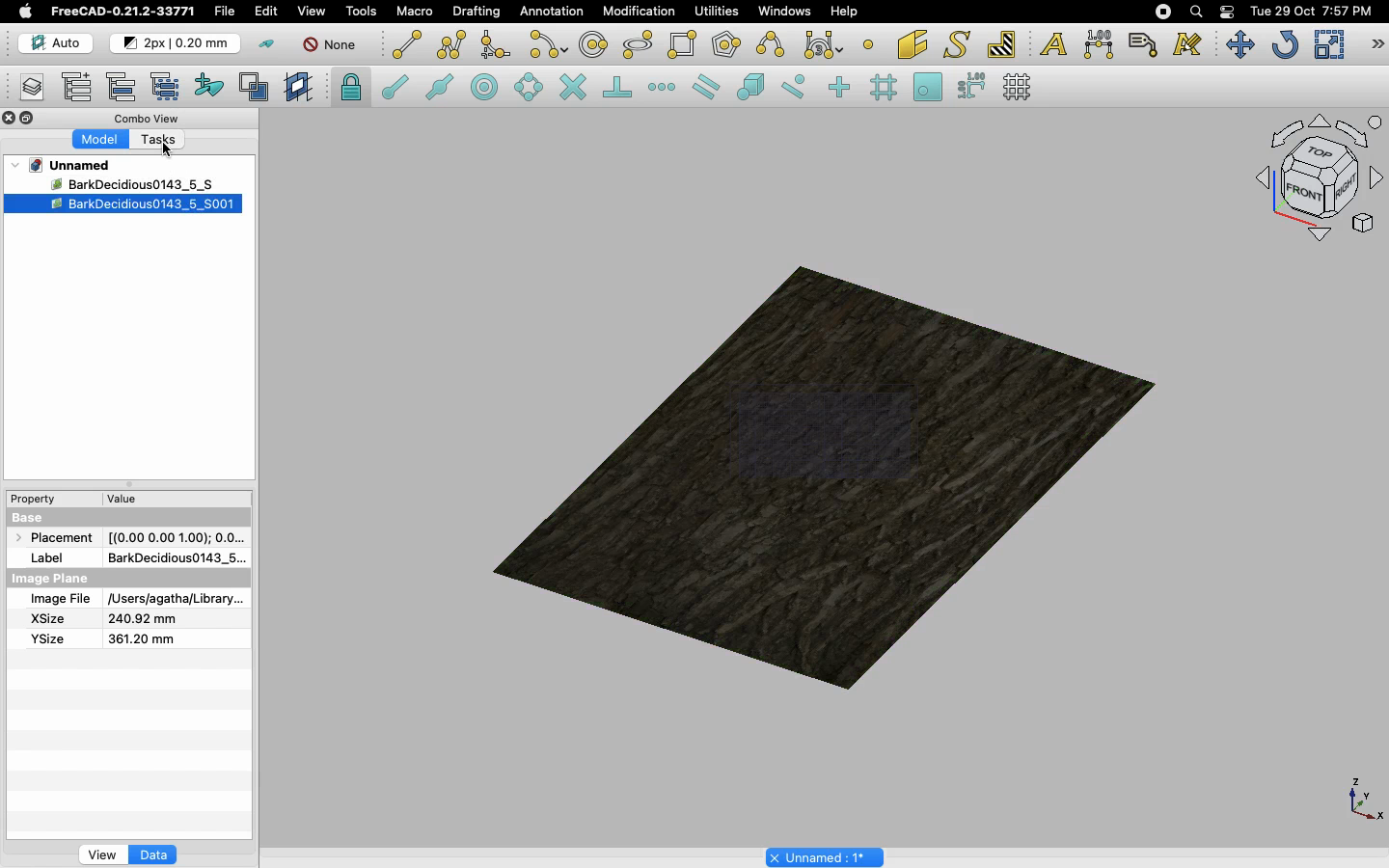 This screenshot has height=868, width=1389. I want to click on 240.92 mm, so click(144, 619).